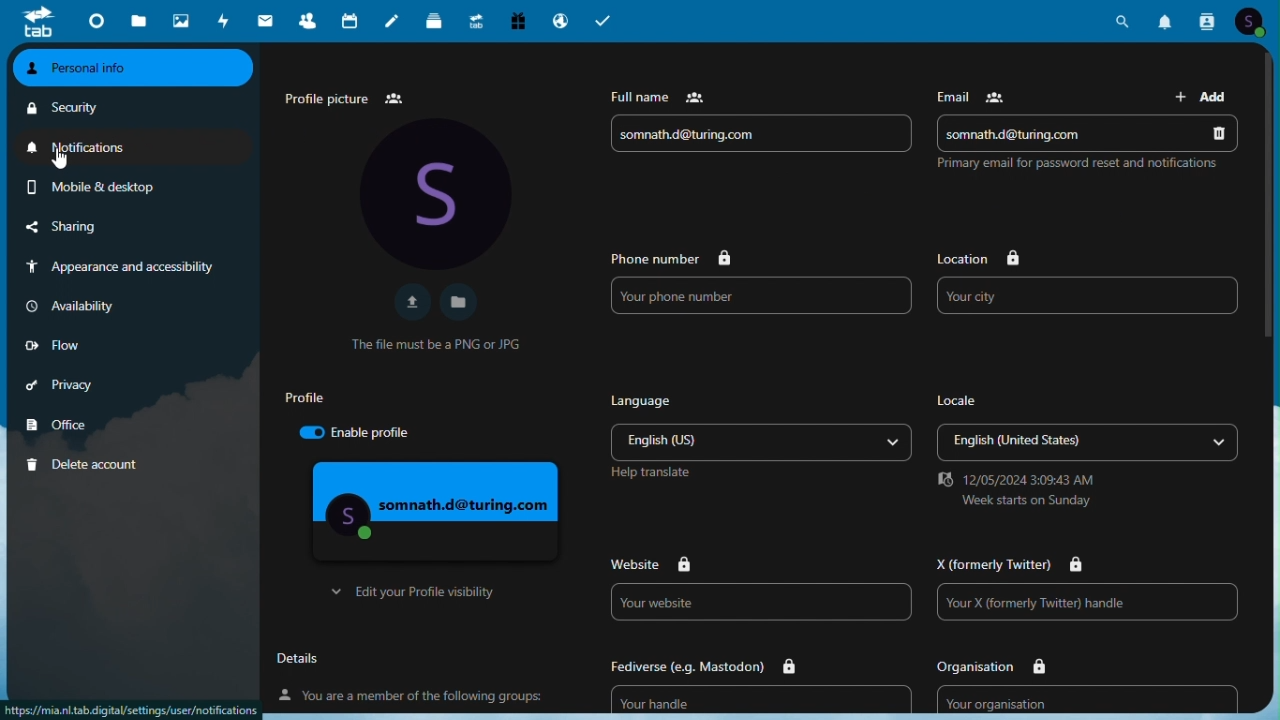 Image resolution: width=1280 pixels, height=720 pixels. Describe the element at coordinates (440, 195) in the screenshot. I see `Profile Avatar` at that location.